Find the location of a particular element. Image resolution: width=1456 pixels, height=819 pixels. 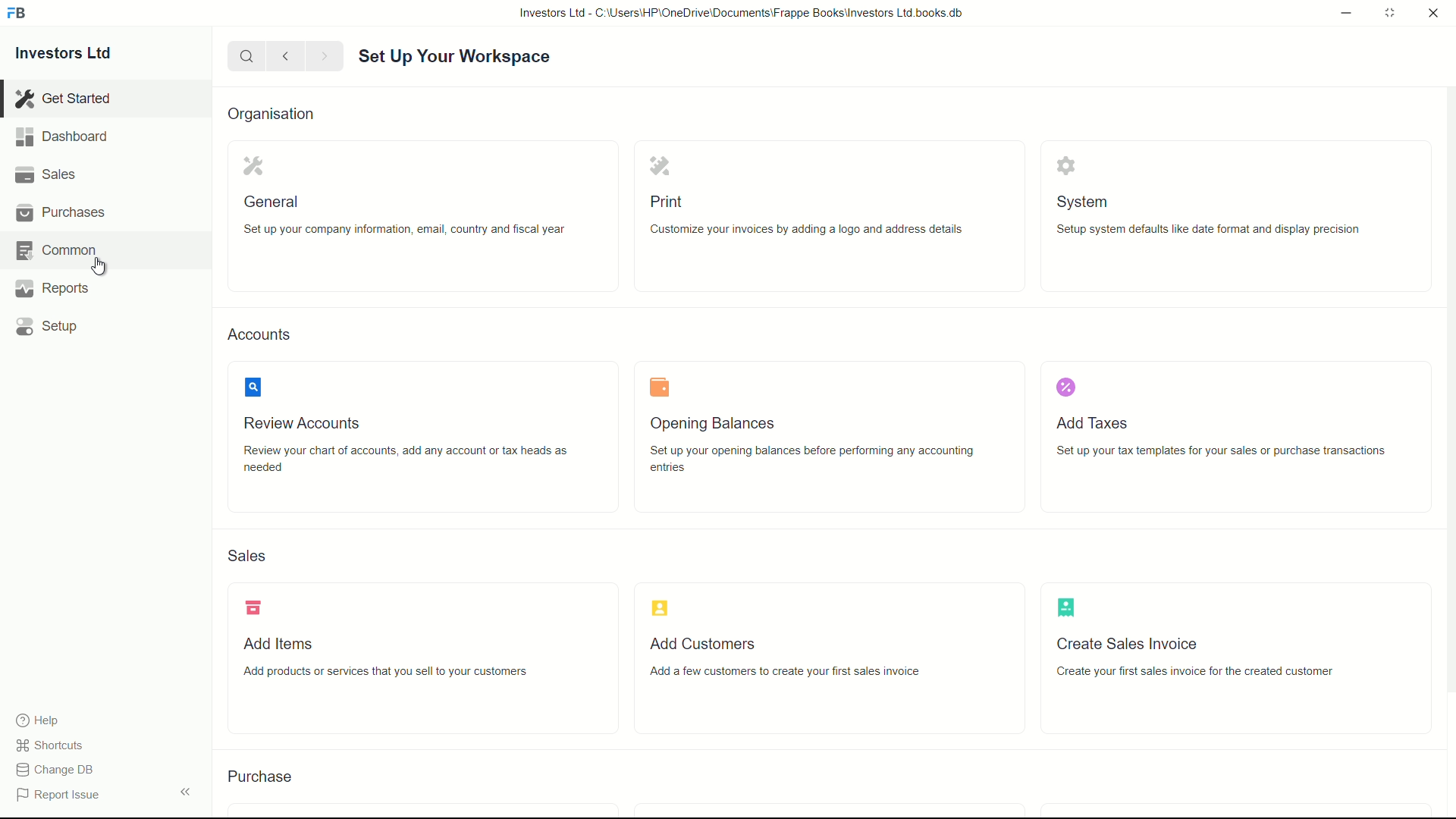

icon is located at coordinates (256, 607).